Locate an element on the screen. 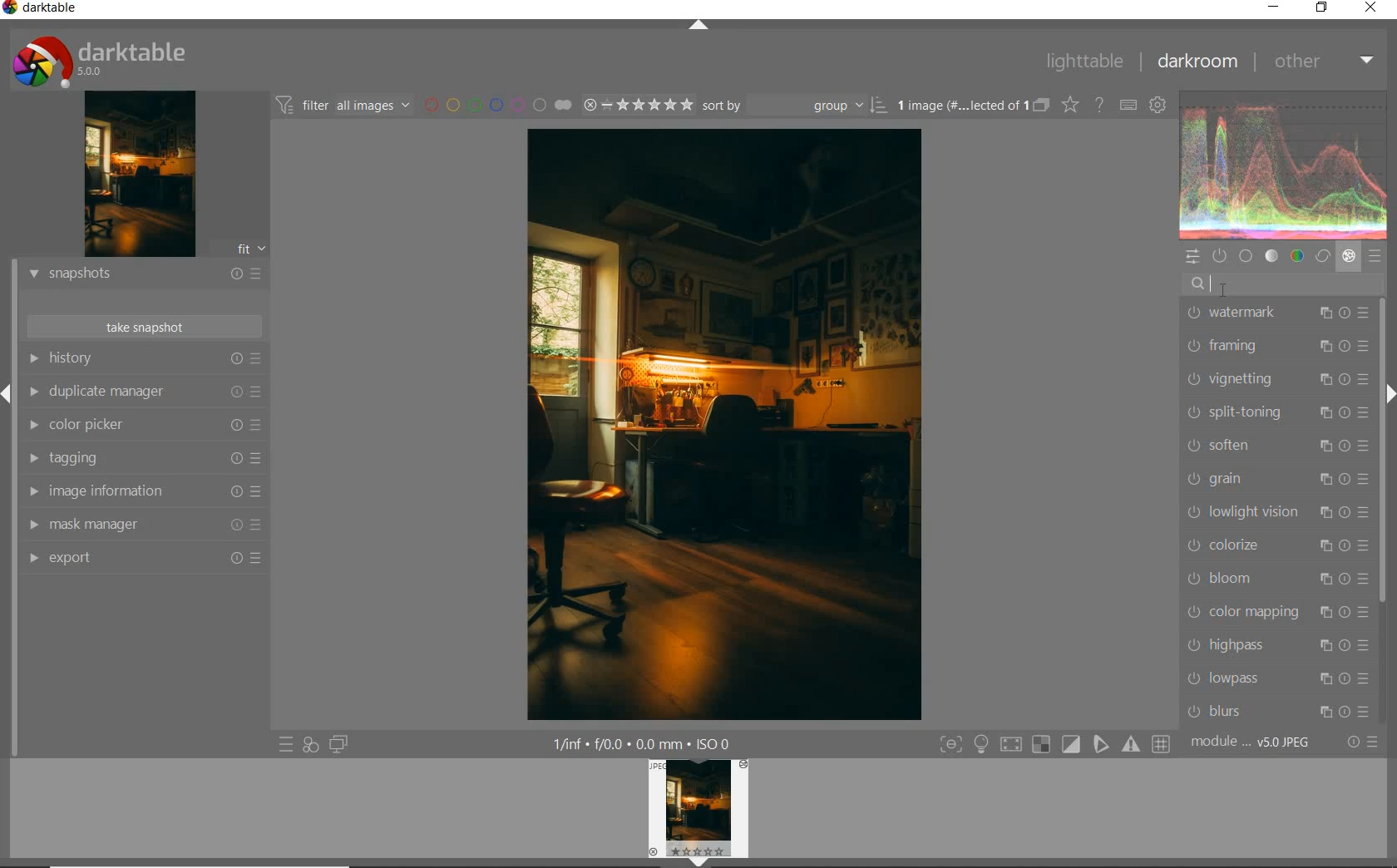  history is located at coordinates (146, 358).